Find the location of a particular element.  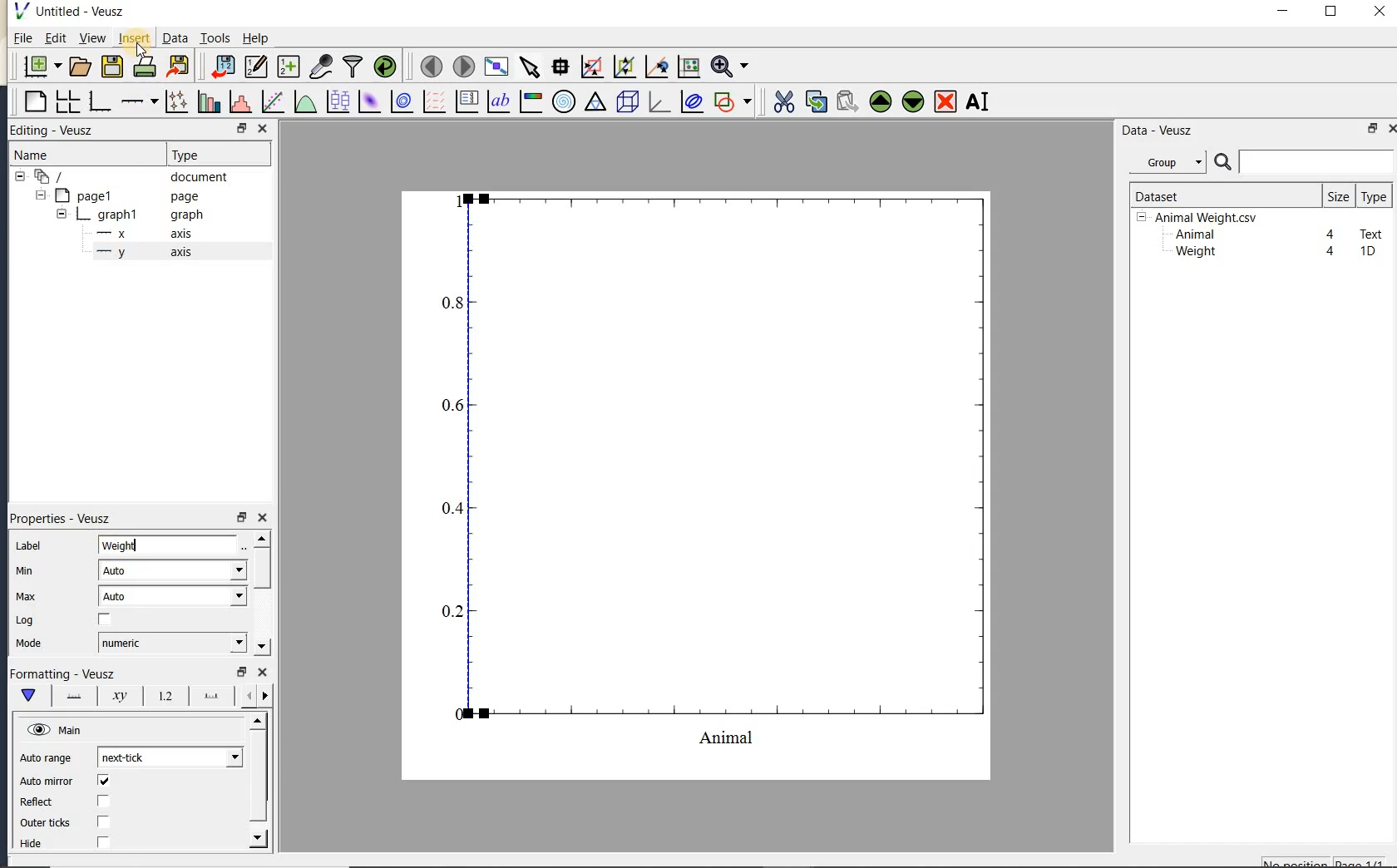

zoom function menus is located at coordinates (729, 67).